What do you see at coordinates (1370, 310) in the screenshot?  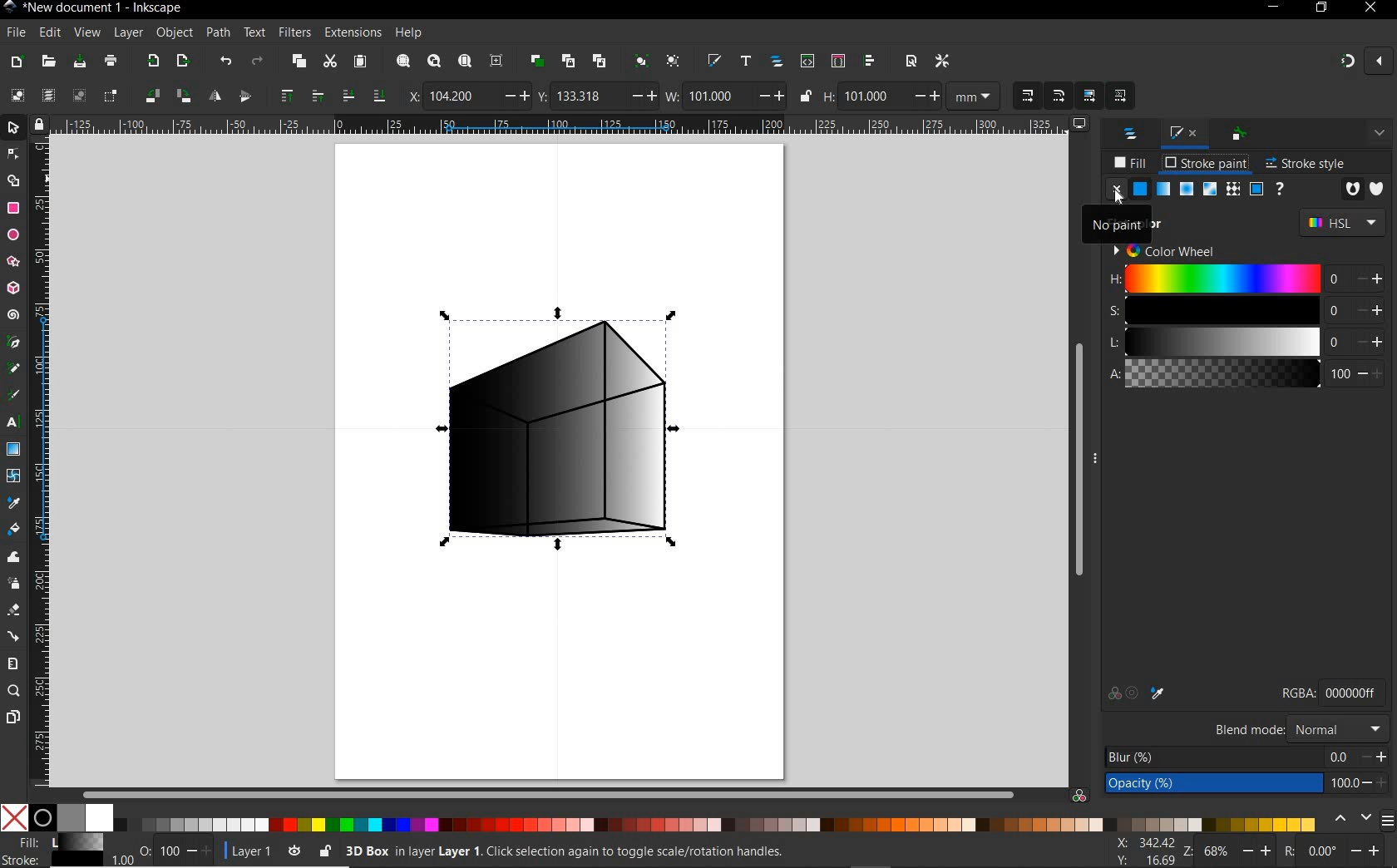 I see `increase/decrease` at bounding box center [1370, 310].